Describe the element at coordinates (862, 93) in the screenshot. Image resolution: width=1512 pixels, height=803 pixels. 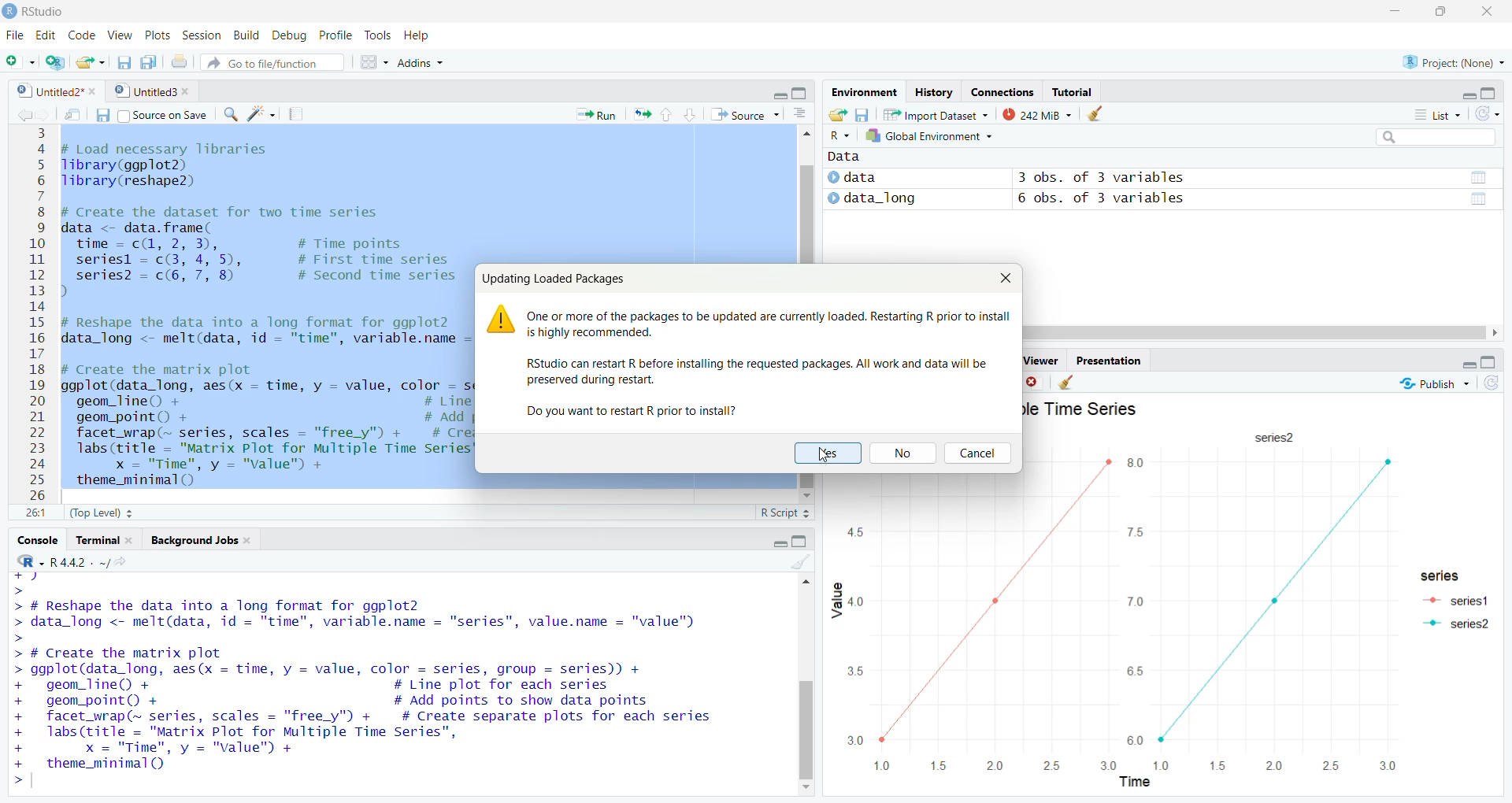
I see `Environment` at that location.